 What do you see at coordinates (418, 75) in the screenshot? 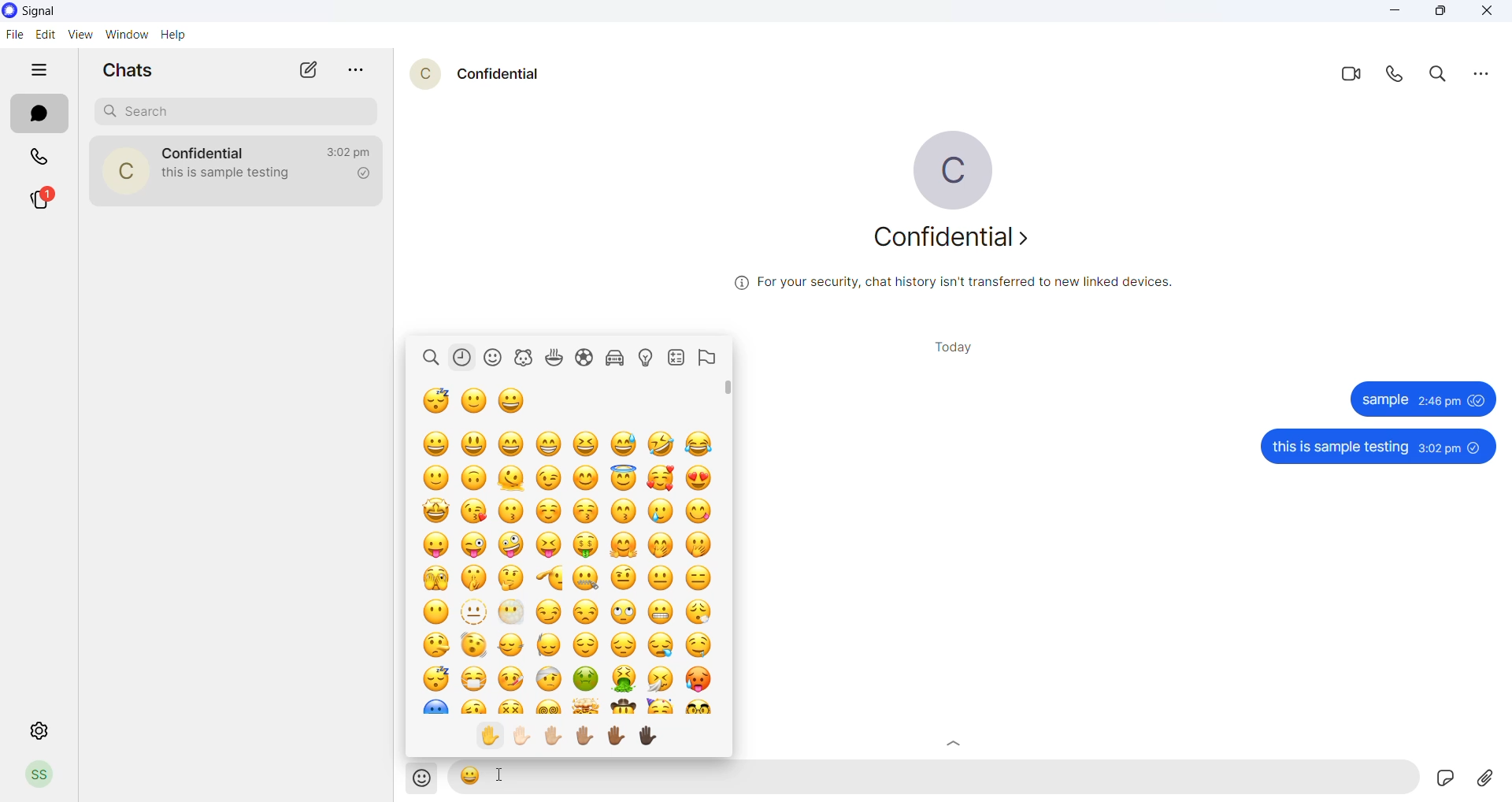
I see `contact profile picture` at bounding box center [418, 75].